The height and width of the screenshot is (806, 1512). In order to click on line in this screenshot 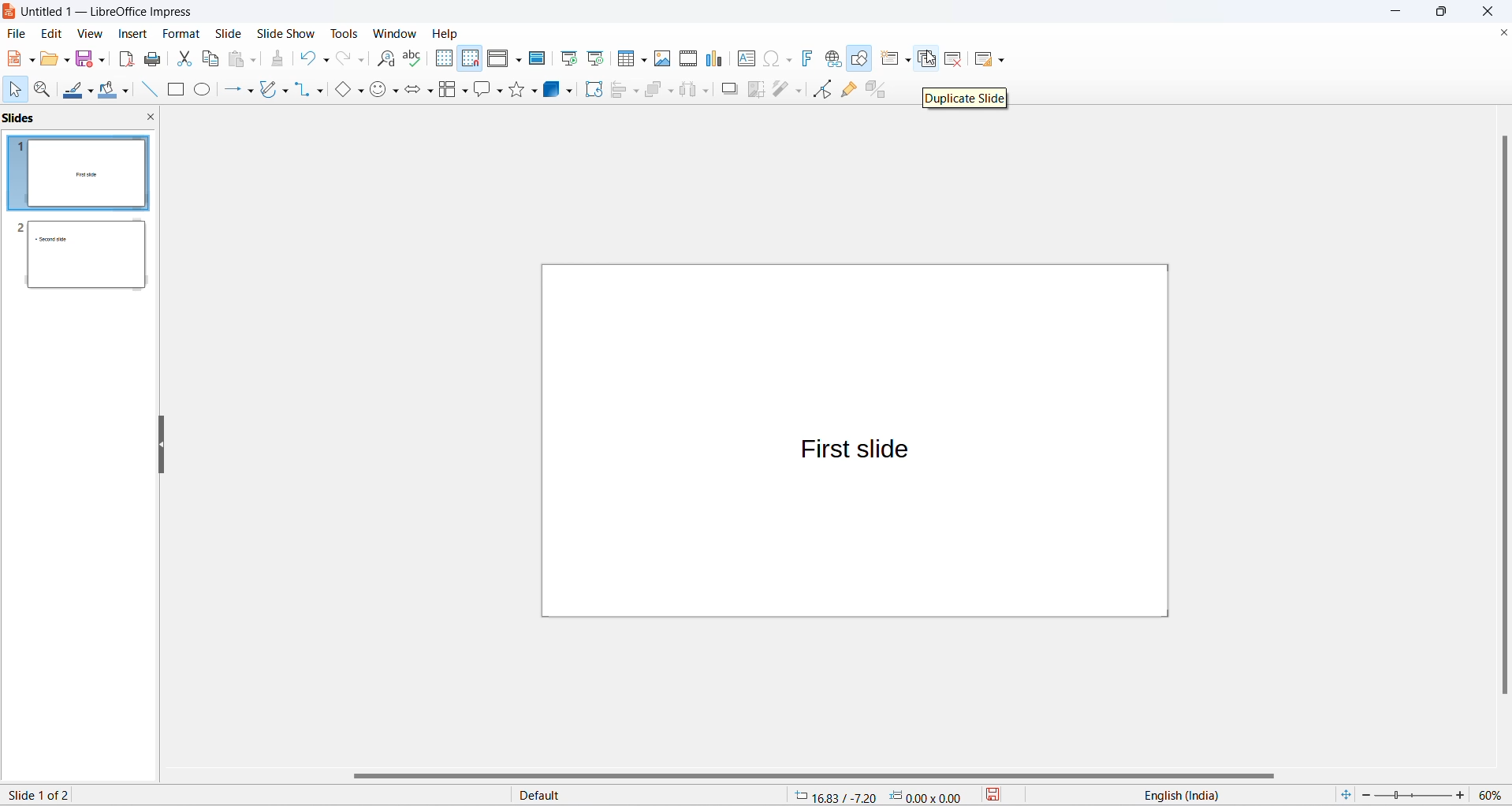, I will do `click(148, 91)`.